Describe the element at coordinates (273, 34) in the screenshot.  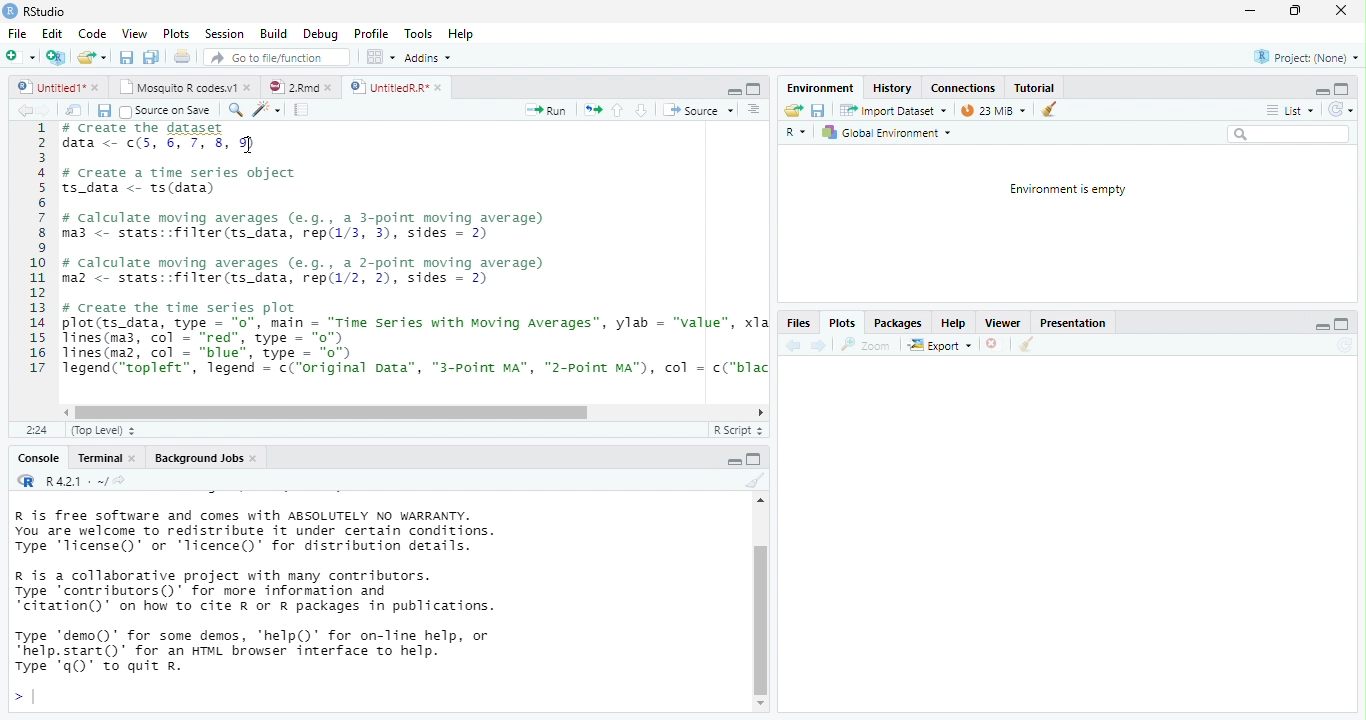
I see `Build` at that location.